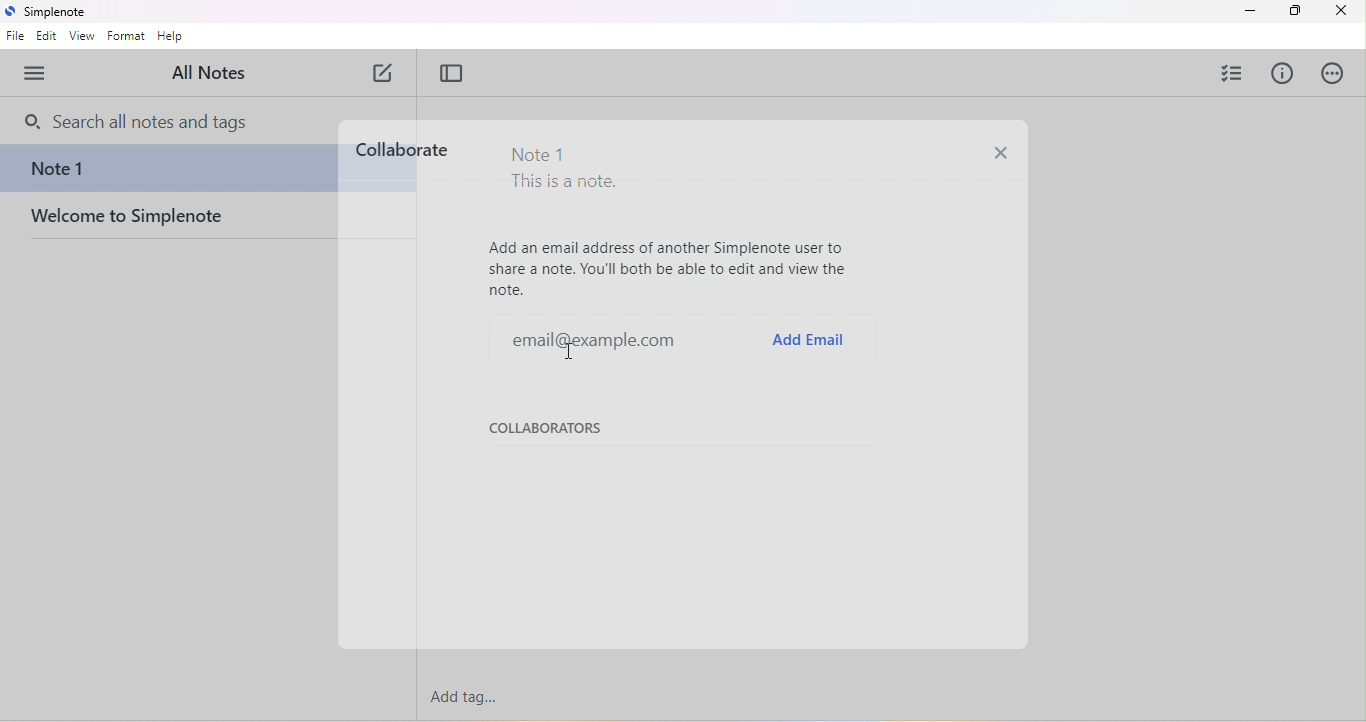  Describe the element at coordinates (999, 155) in the screenshot. I see `close` at that location.